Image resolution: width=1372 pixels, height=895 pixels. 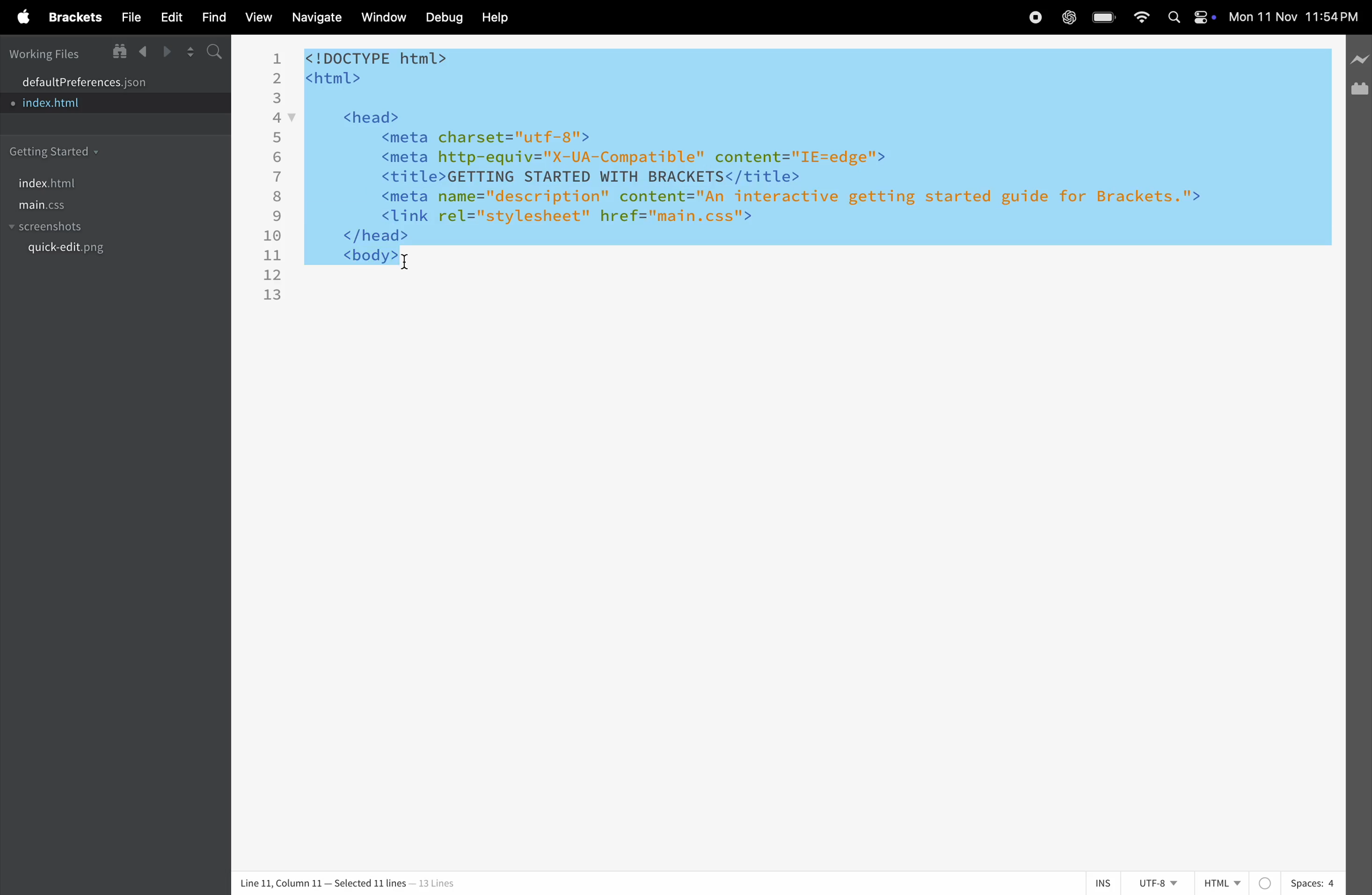 I want to click on working files, so click(x=45, y=53).